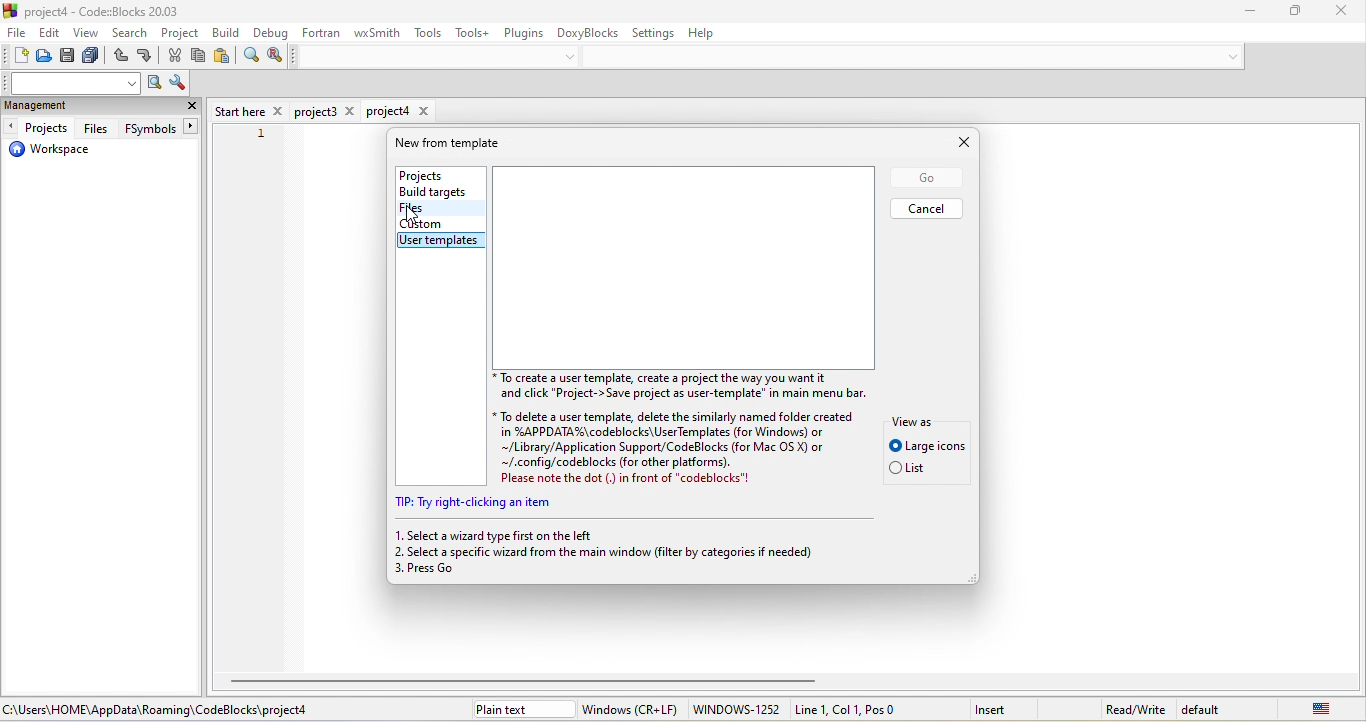 The height and width of the screenshot is (722, 1366). I want to click on fsymbols, so click(158, 129).